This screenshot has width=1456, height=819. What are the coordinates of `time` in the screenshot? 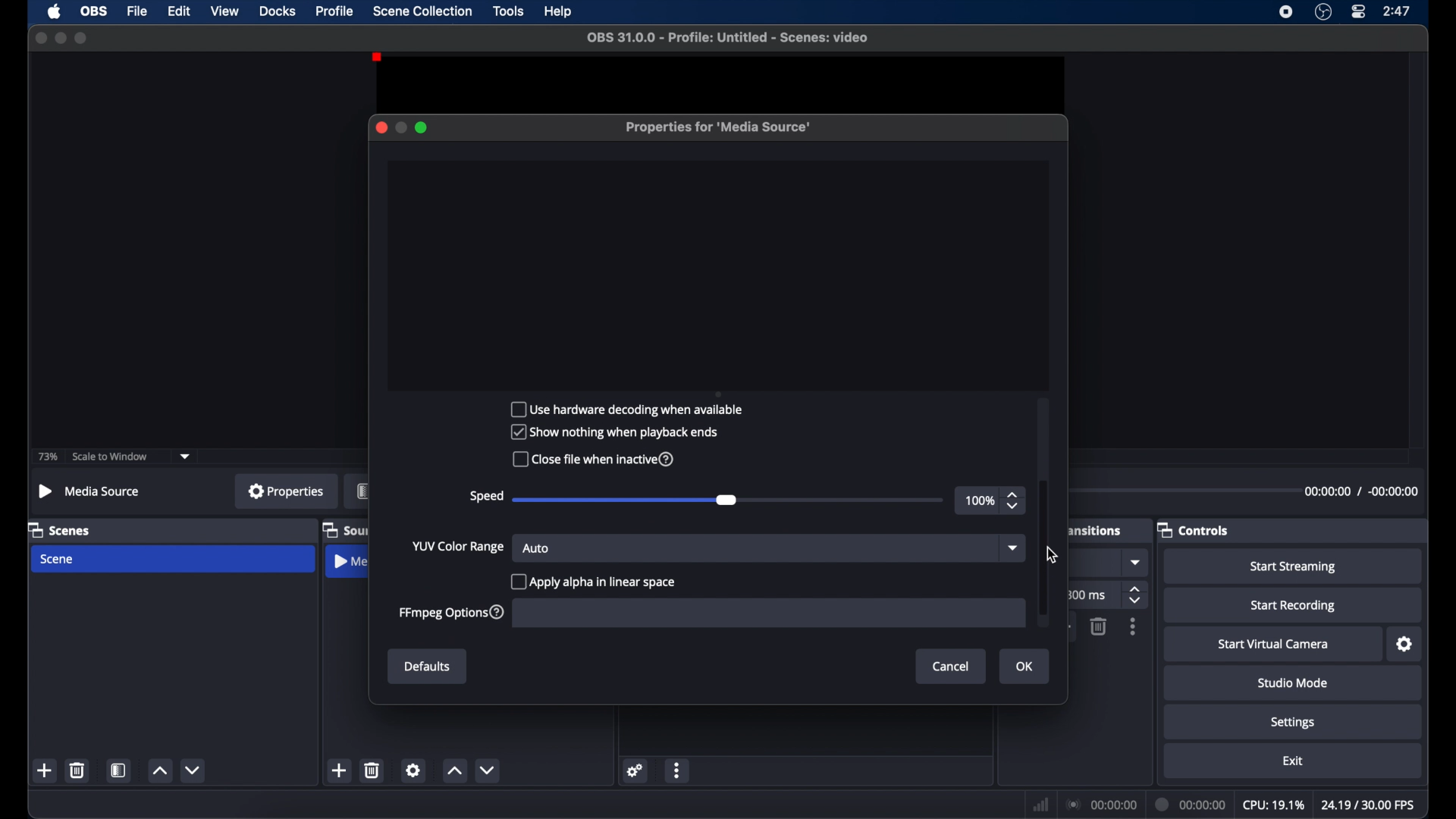 It's located at (1398, 11).